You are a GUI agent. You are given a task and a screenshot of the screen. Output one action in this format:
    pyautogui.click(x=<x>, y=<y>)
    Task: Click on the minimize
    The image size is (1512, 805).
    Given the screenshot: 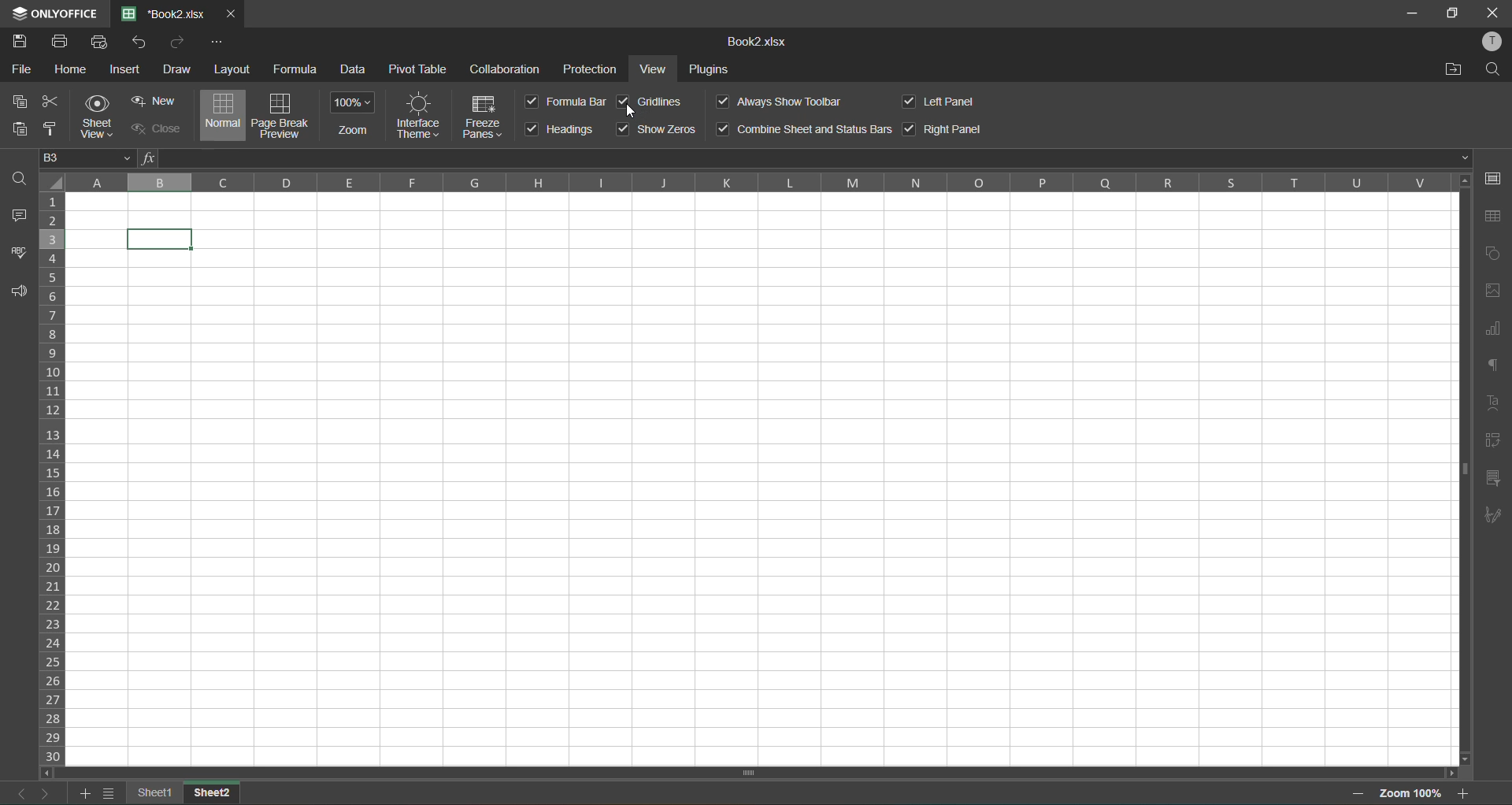 What is the action you would take?
    pyautogui.click(x=1409, y=12)
    